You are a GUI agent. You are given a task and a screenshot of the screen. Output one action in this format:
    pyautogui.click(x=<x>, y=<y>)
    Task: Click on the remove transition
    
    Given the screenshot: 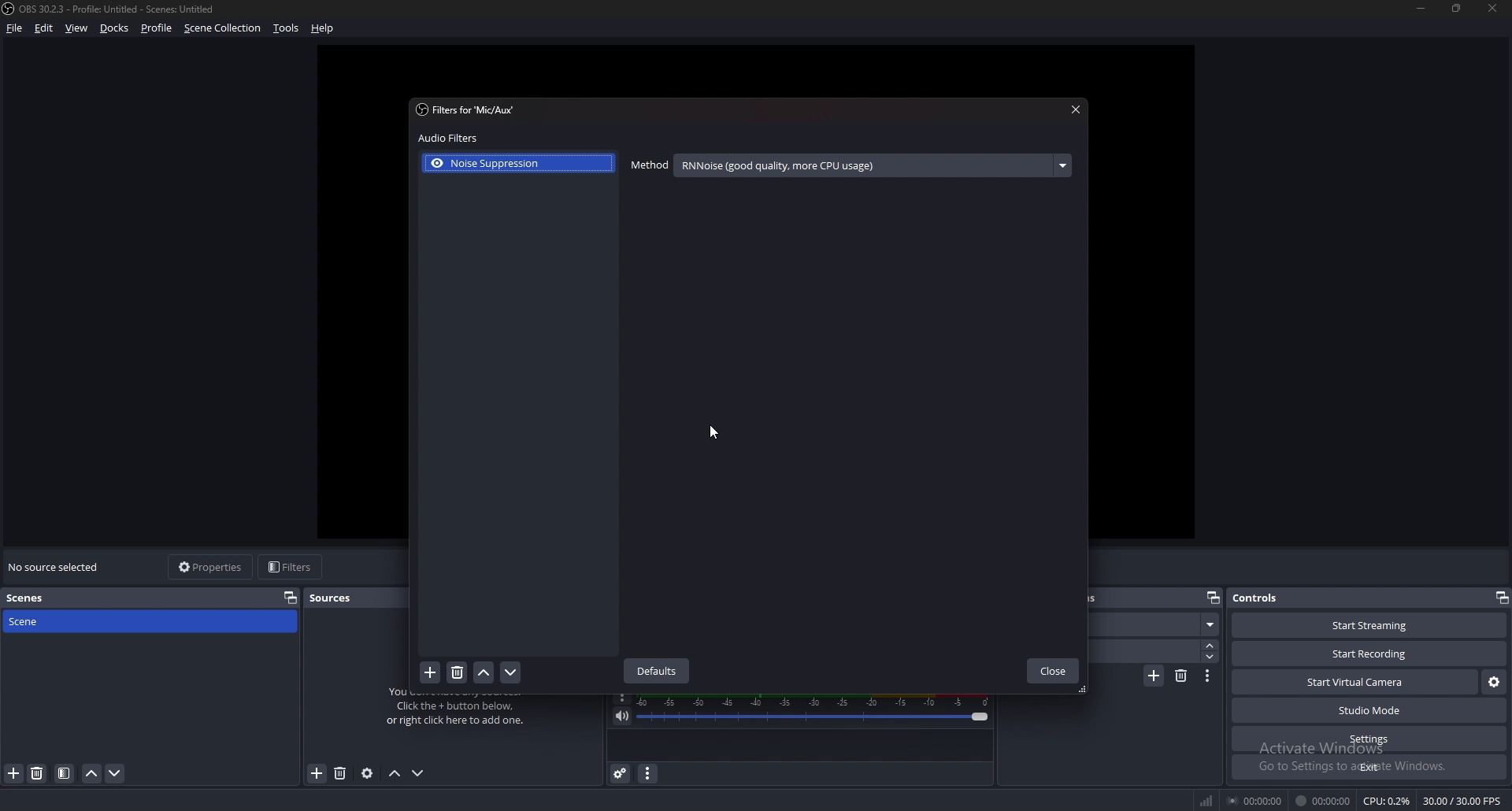 What is the action you would take?
    pyautogui.click(x=1182, y=678)
    